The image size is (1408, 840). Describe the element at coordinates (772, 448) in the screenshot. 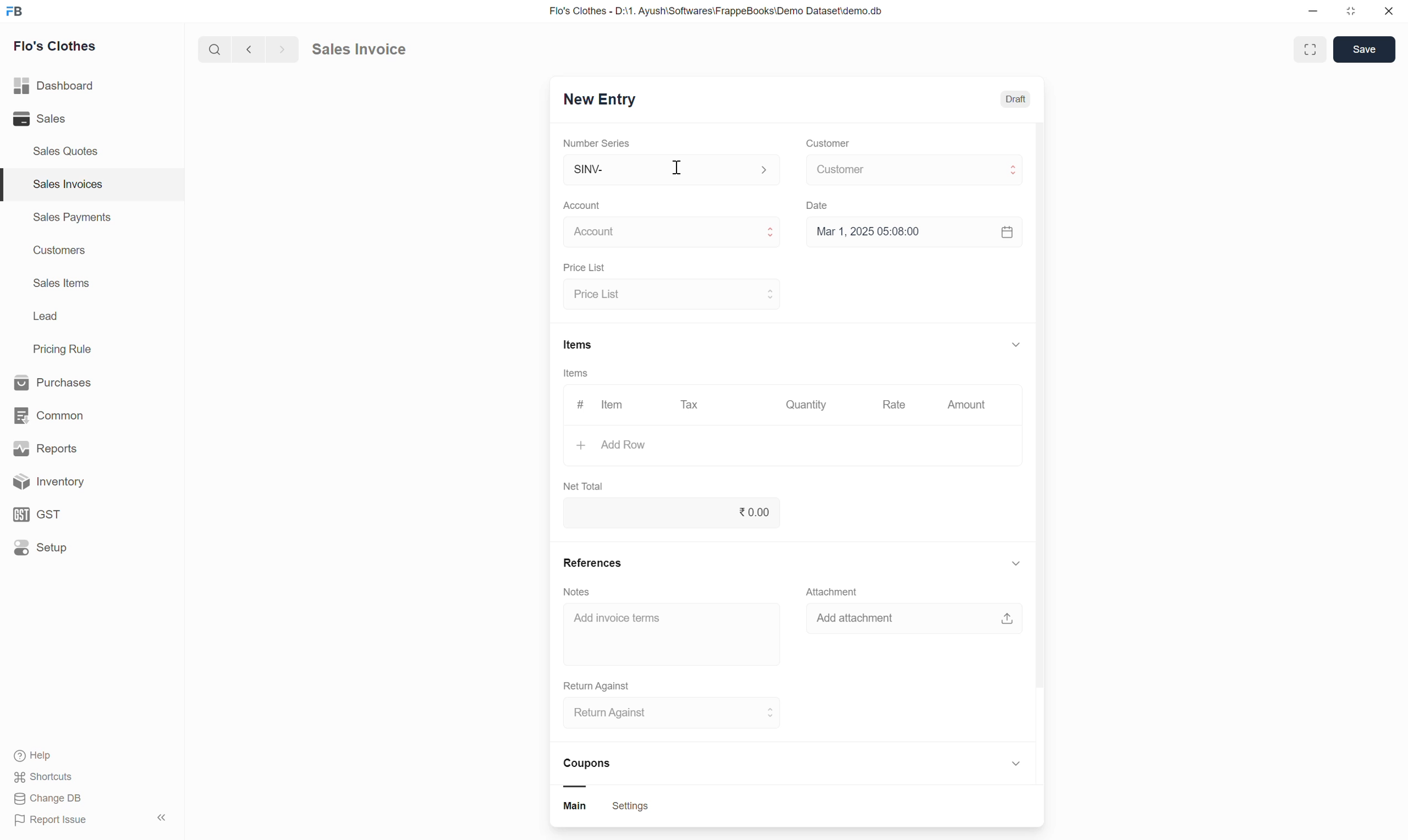

I see `Add row` at that location.